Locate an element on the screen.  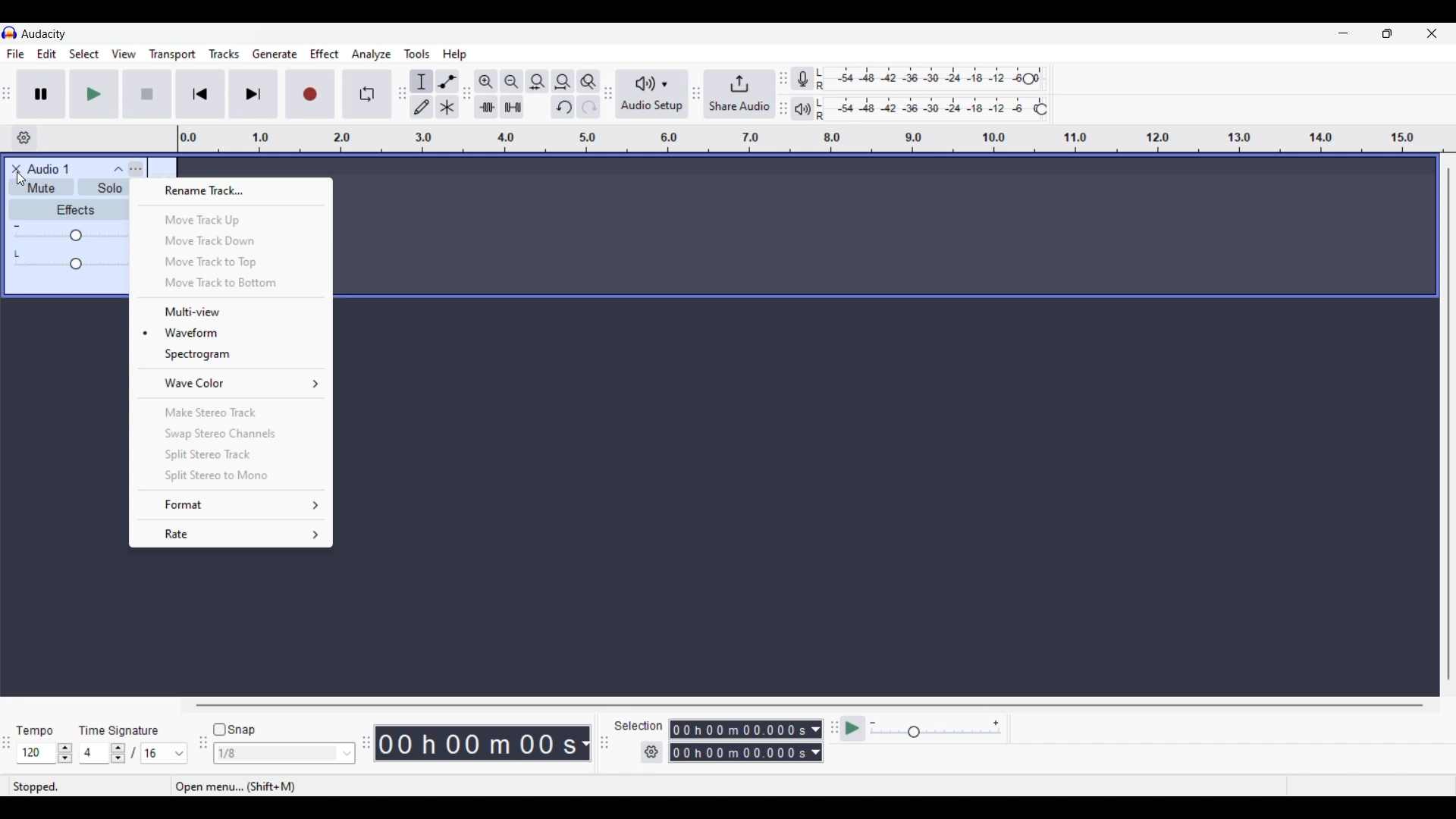
Envelop tool is located at coordinates (447, 81).